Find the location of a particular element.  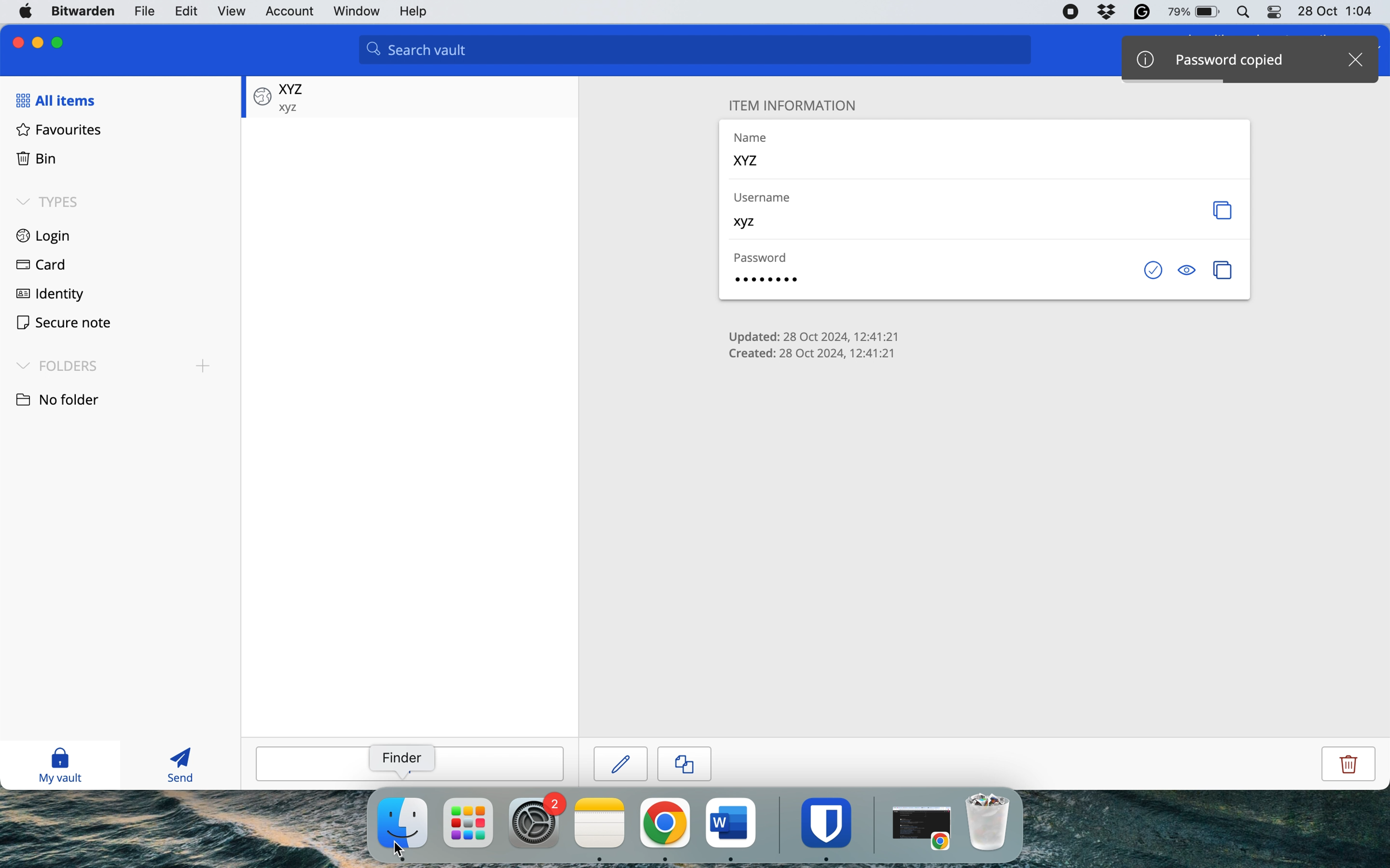

bitwarden is located at coordinates (85, 12).